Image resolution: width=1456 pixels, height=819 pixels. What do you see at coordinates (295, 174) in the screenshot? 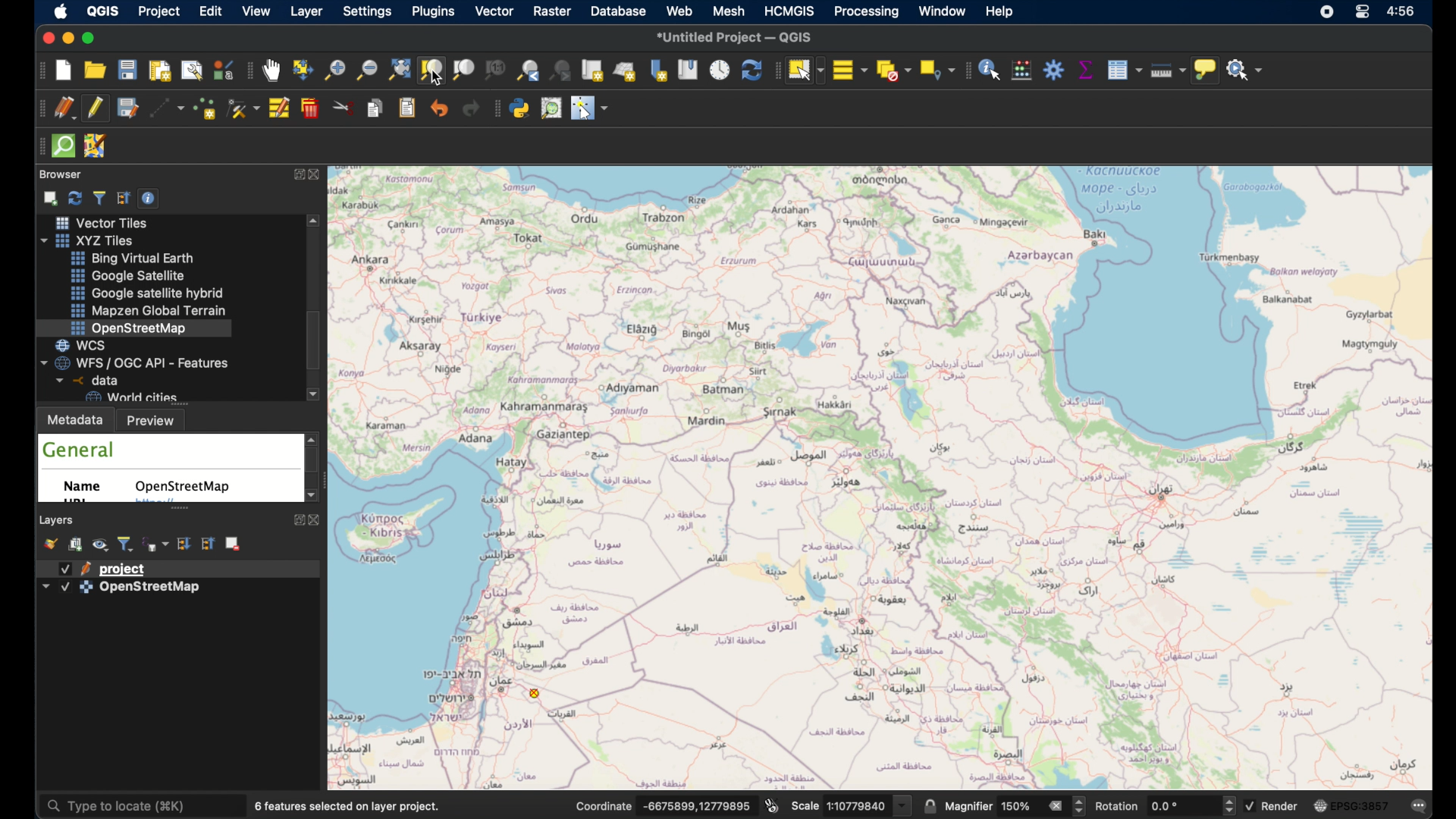
I see `expand` at bounding box center [295, 174].